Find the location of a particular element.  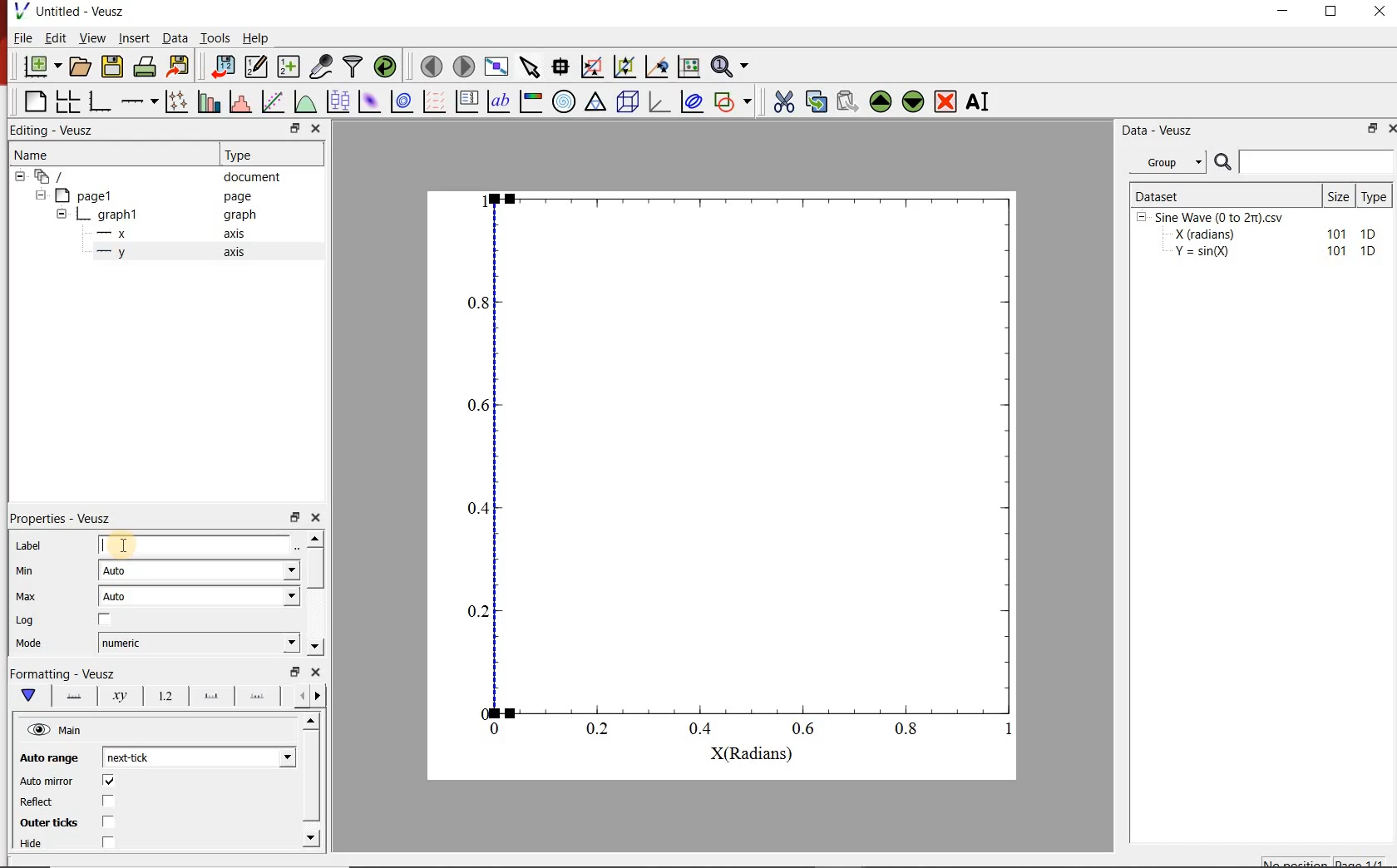

Min/Max is located at coordinates (293, 129).